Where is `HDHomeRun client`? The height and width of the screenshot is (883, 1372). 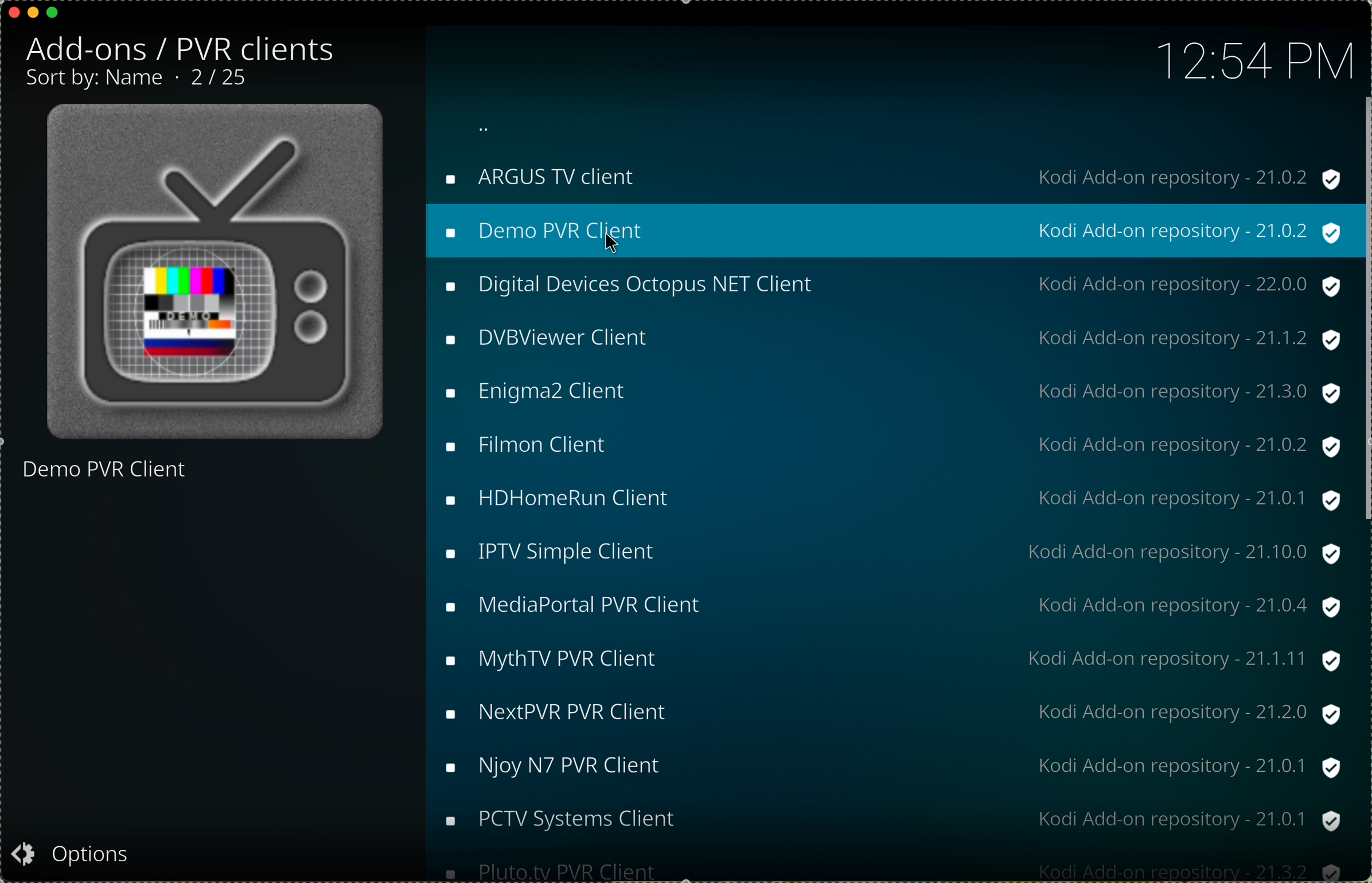 HDHomeRun client is located at coordinates (579, 501).